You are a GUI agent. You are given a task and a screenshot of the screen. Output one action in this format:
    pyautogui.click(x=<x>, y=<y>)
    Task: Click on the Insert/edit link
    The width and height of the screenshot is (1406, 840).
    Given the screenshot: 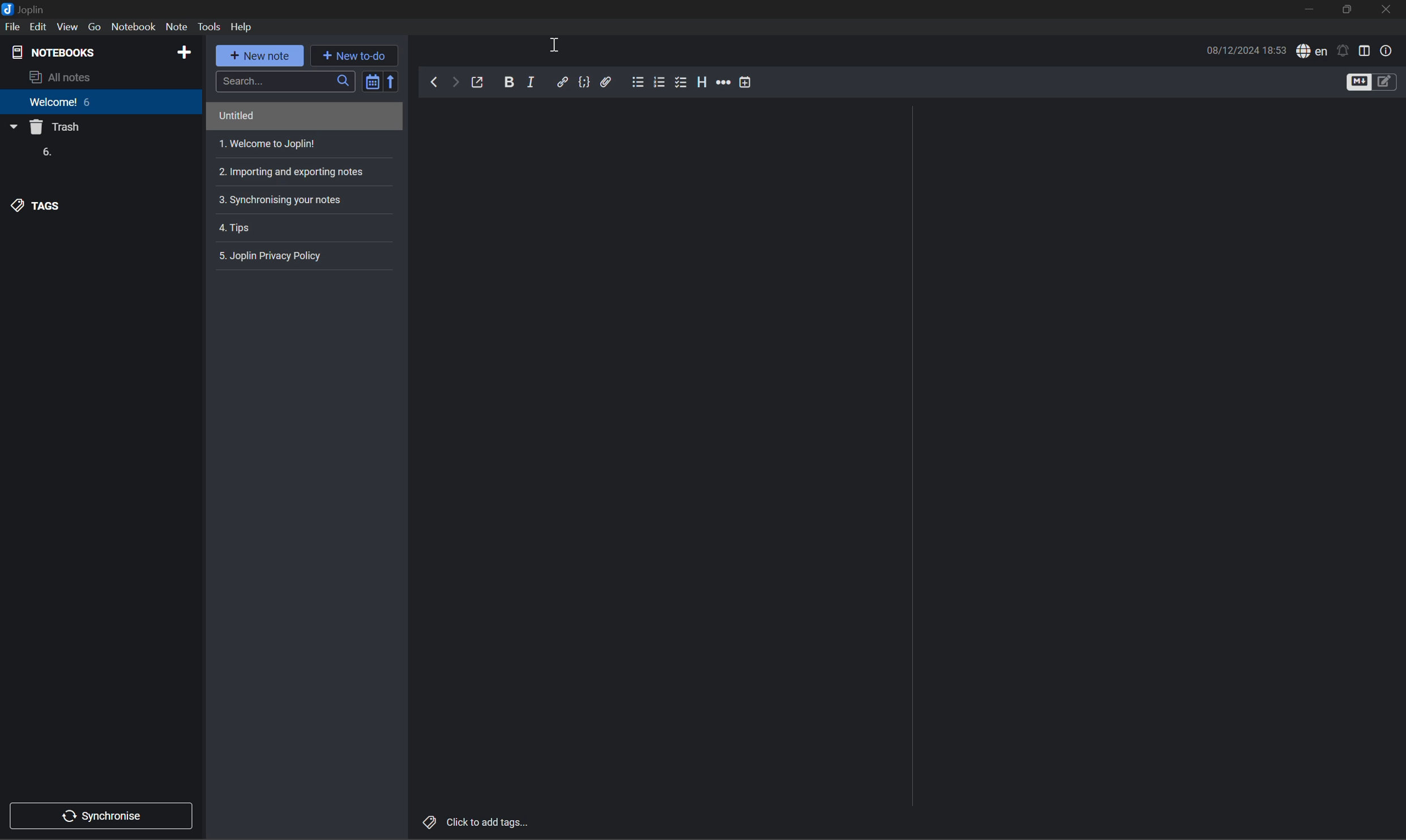 What is the action you would take?
    pyautogui.click(x=562, y=81)
    